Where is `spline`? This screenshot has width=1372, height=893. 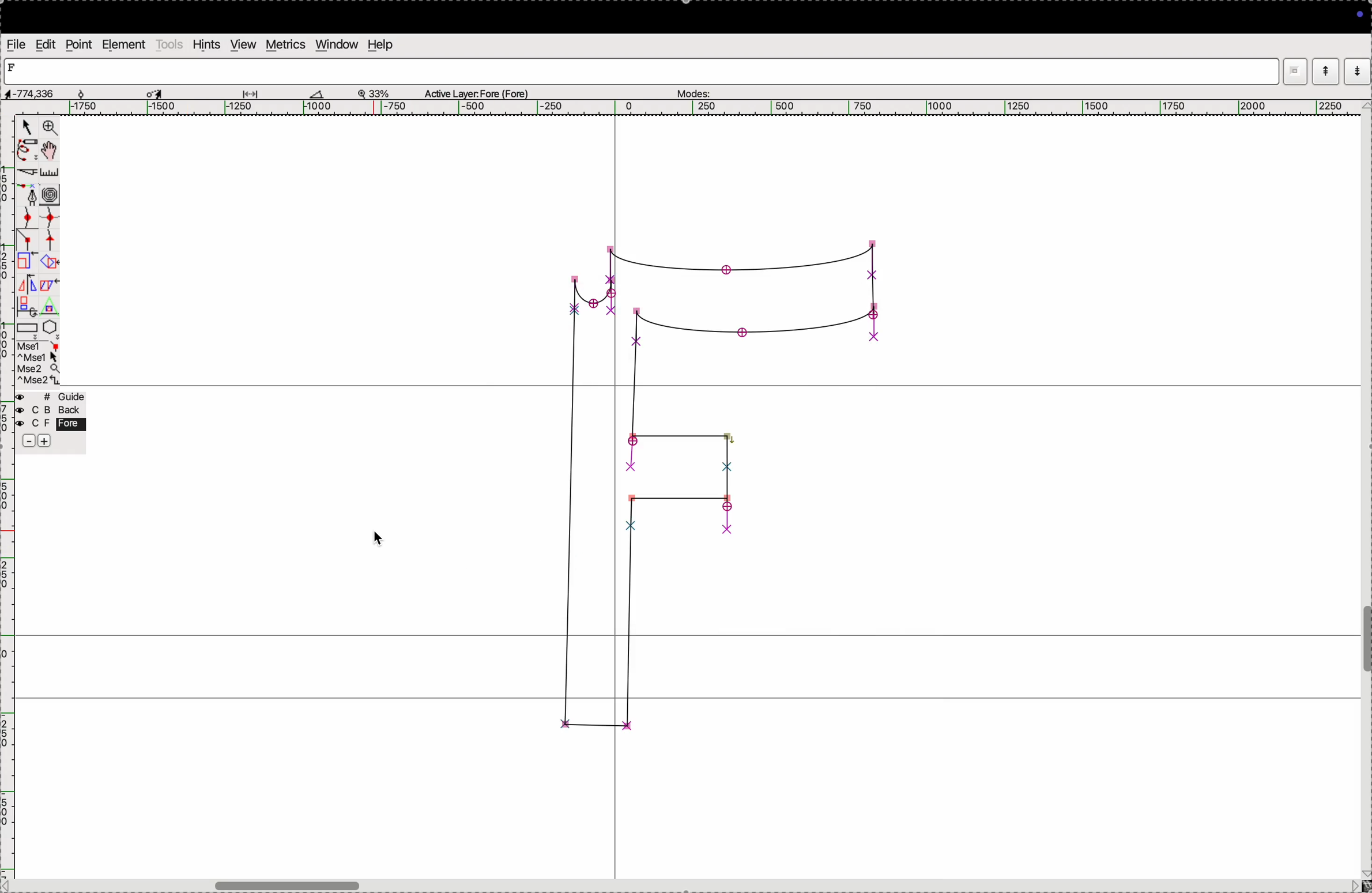 spline is located at coordinates (49, 230).